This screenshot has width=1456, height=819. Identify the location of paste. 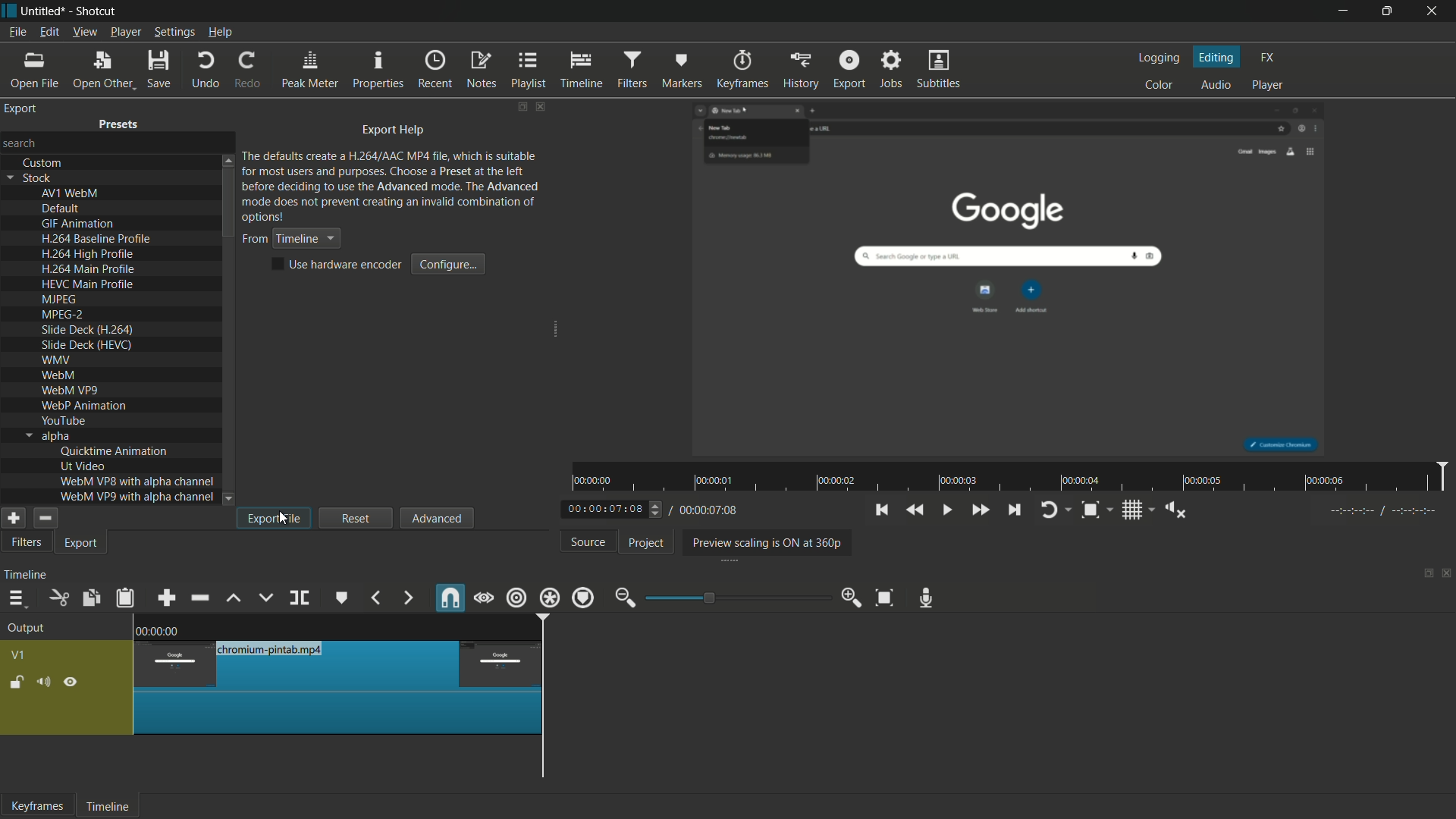
(128, 598).